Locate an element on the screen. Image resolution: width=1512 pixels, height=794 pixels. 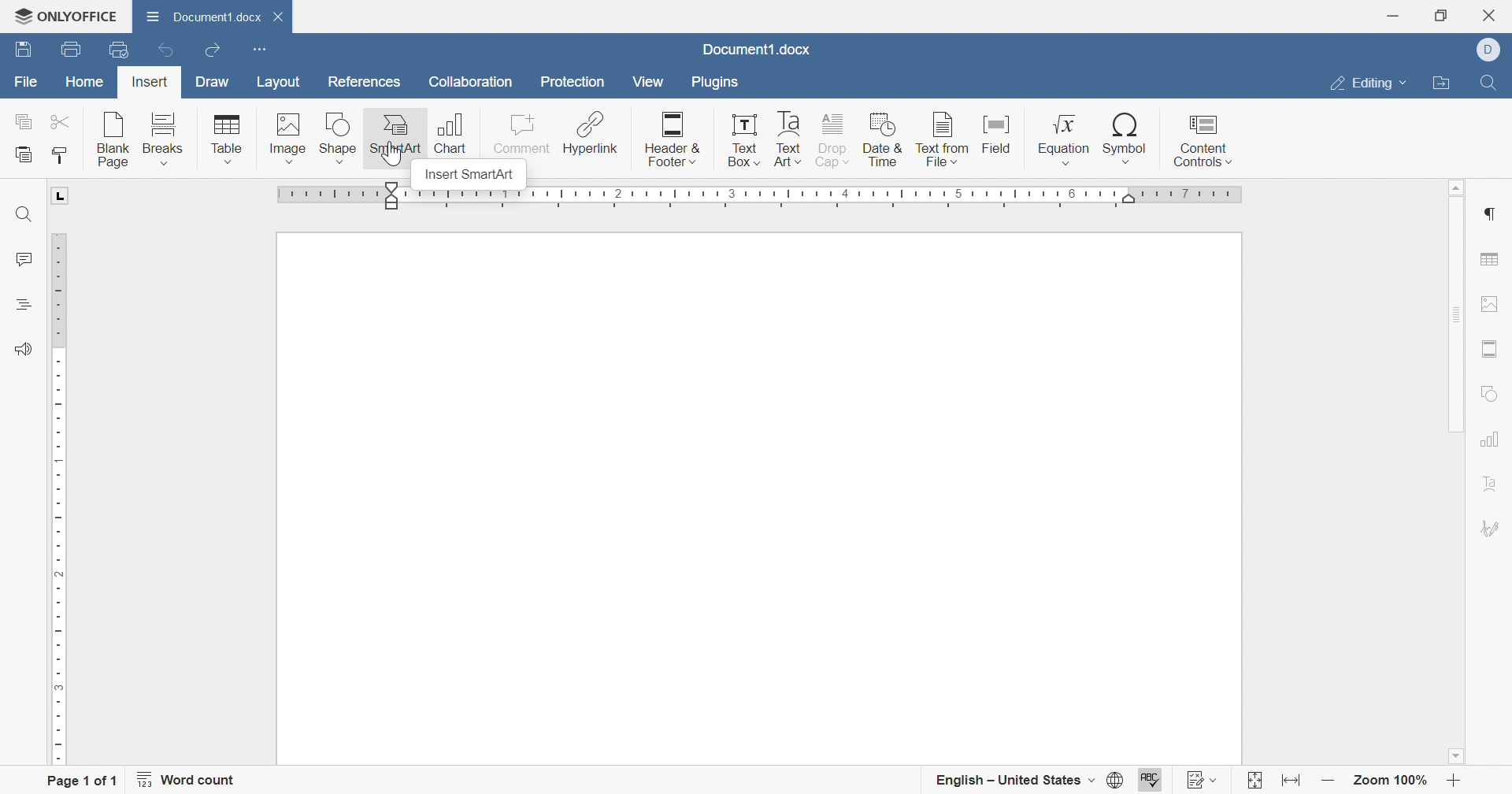
Chart settings is located at coordinates (1492, 438).